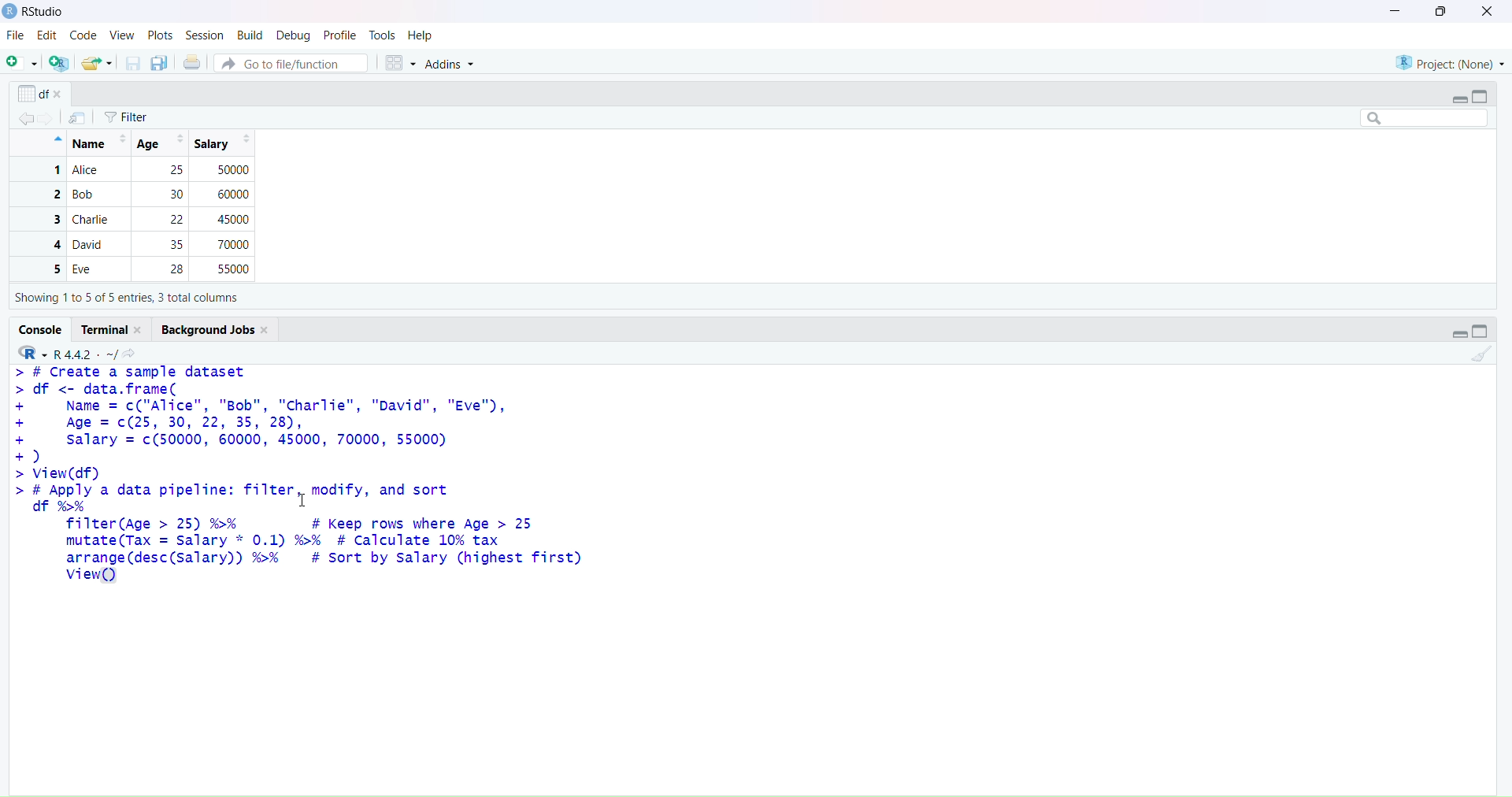 This screenshot has width=1512, height=797. Describe the element at coordinates (1416, 118) in the screenshot. I see `search` at that location.